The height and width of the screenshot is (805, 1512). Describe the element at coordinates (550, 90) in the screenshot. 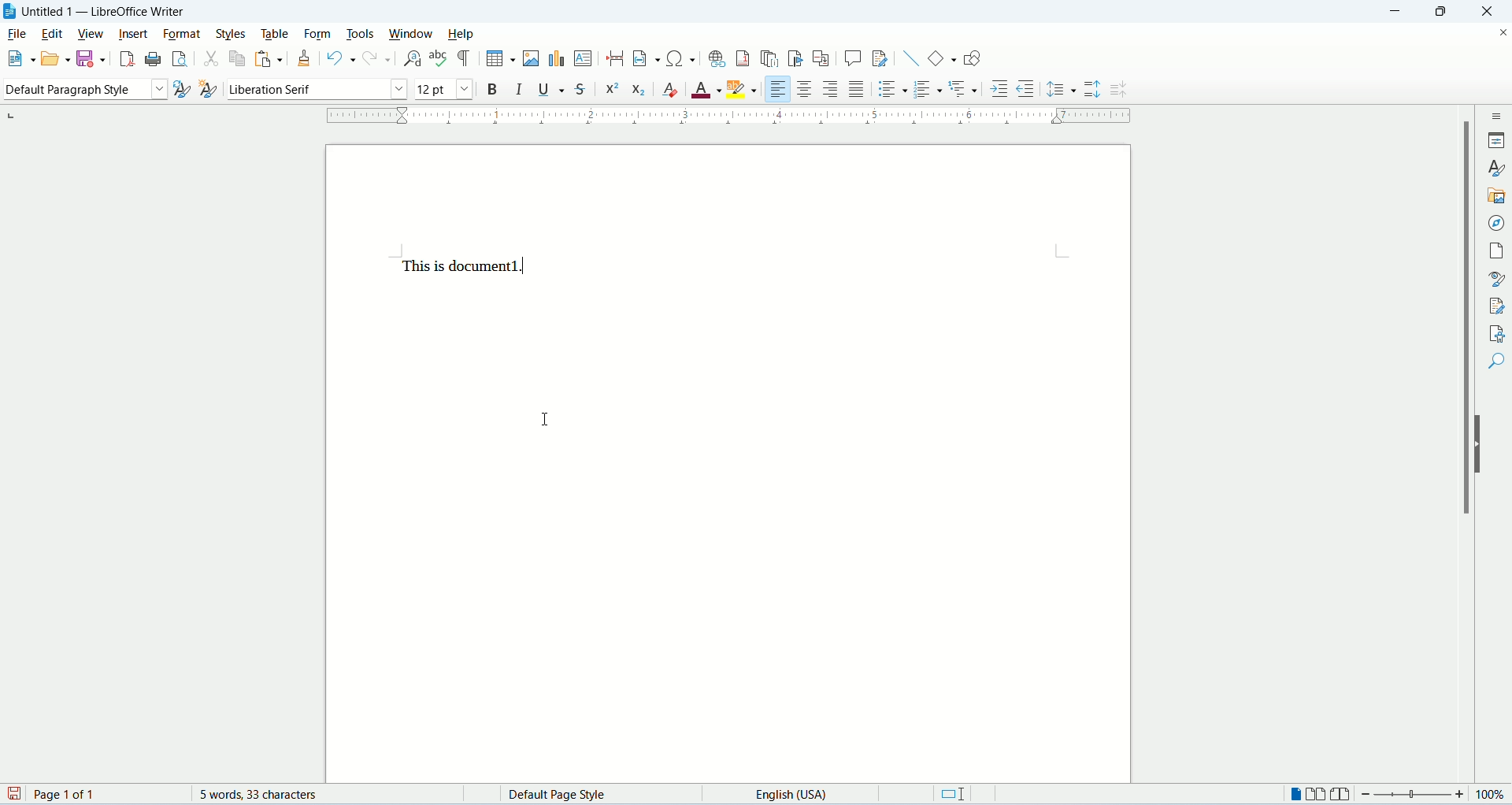

I see `underline` at that location.